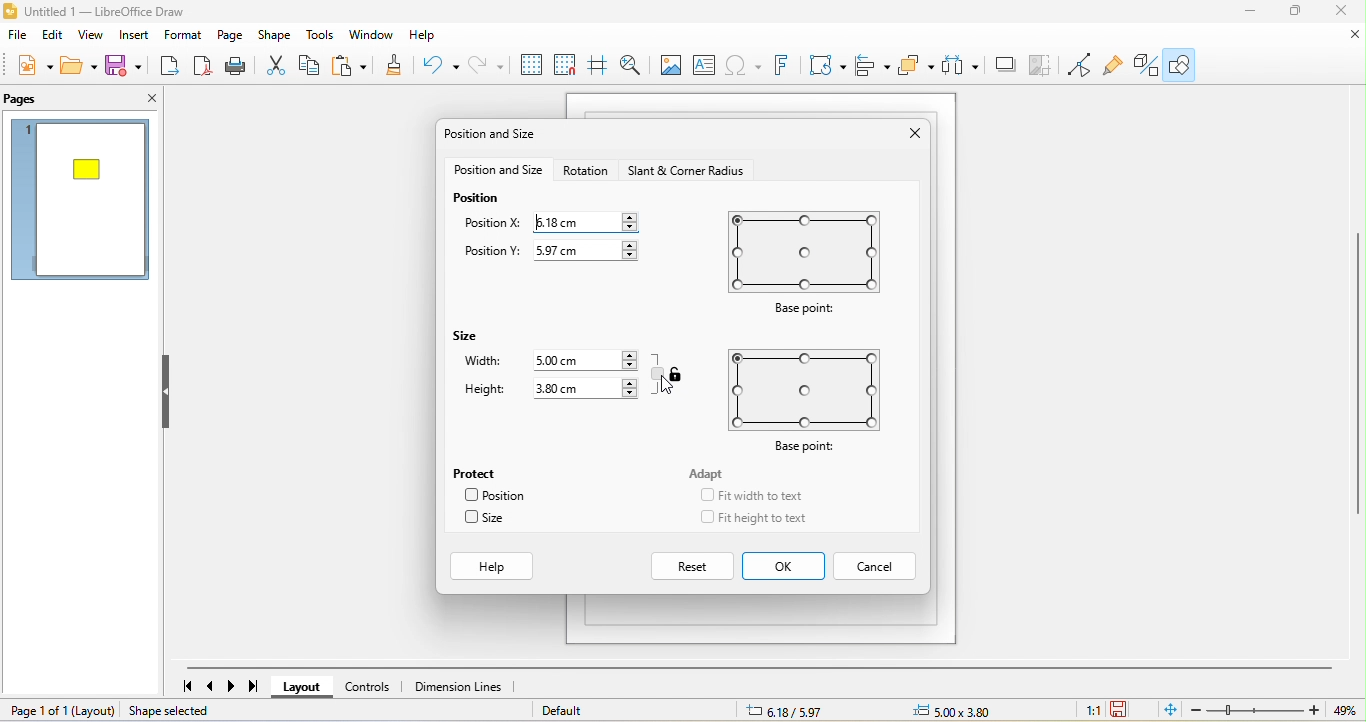 This screenshot has width=1366, height=722. What do you see at coordinates (490, 225) in the screenshot?
I see `position x` at bounding box center [490, 225].